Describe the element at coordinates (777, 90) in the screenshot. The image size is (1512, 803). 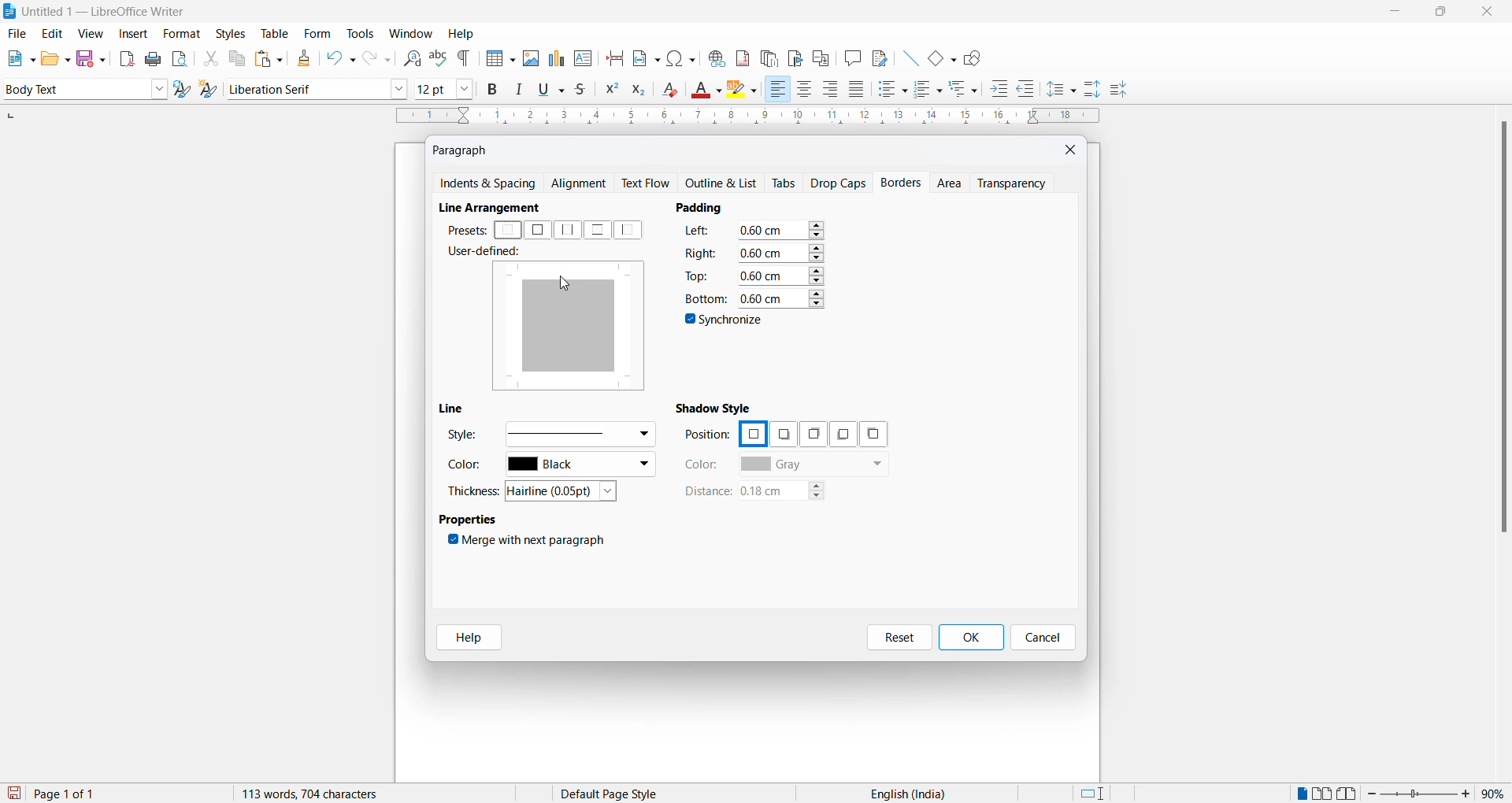
I see `text align right` at that location.